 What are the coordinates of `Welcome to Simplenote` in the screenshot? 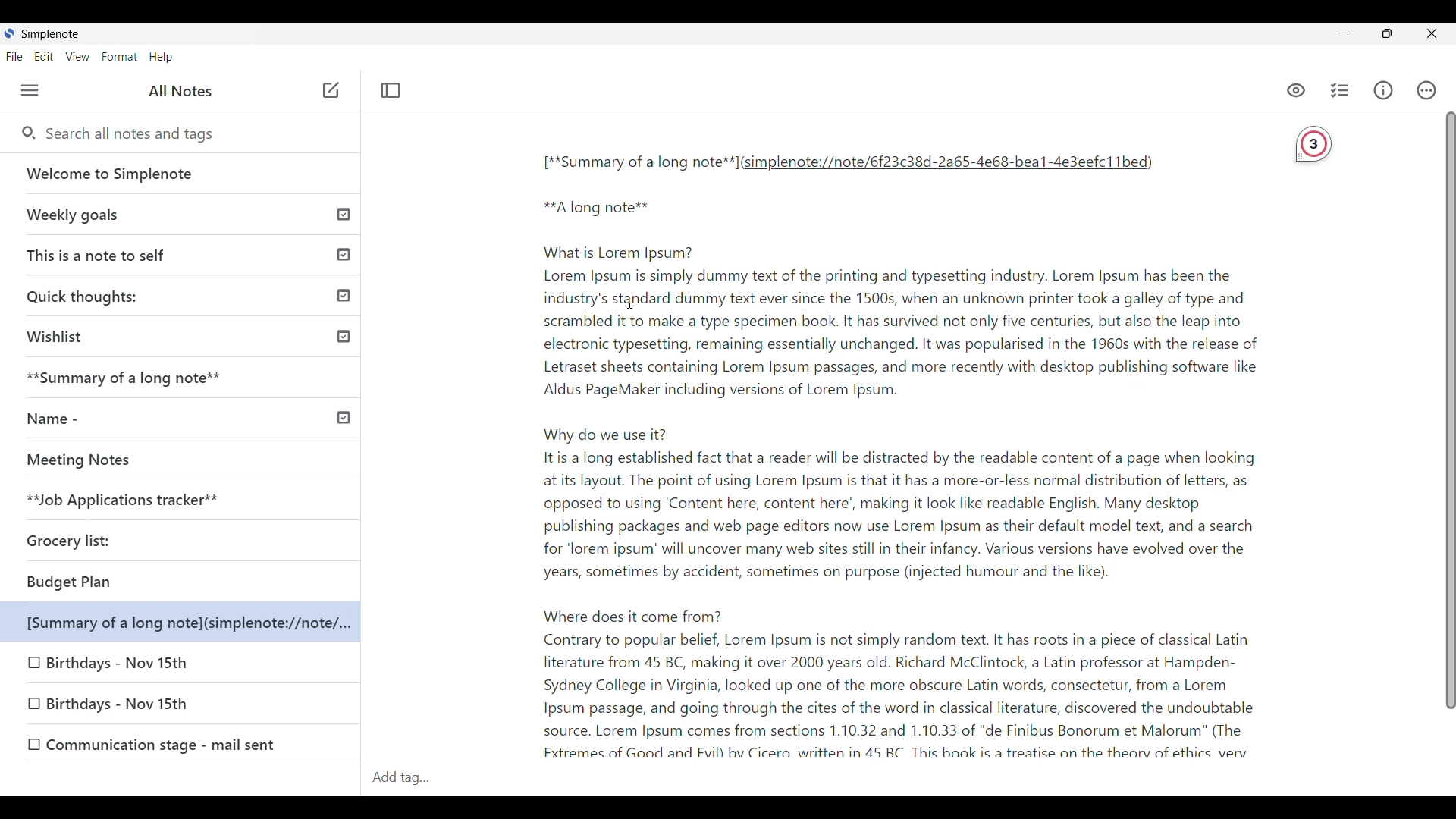 It's located at (182, 174).